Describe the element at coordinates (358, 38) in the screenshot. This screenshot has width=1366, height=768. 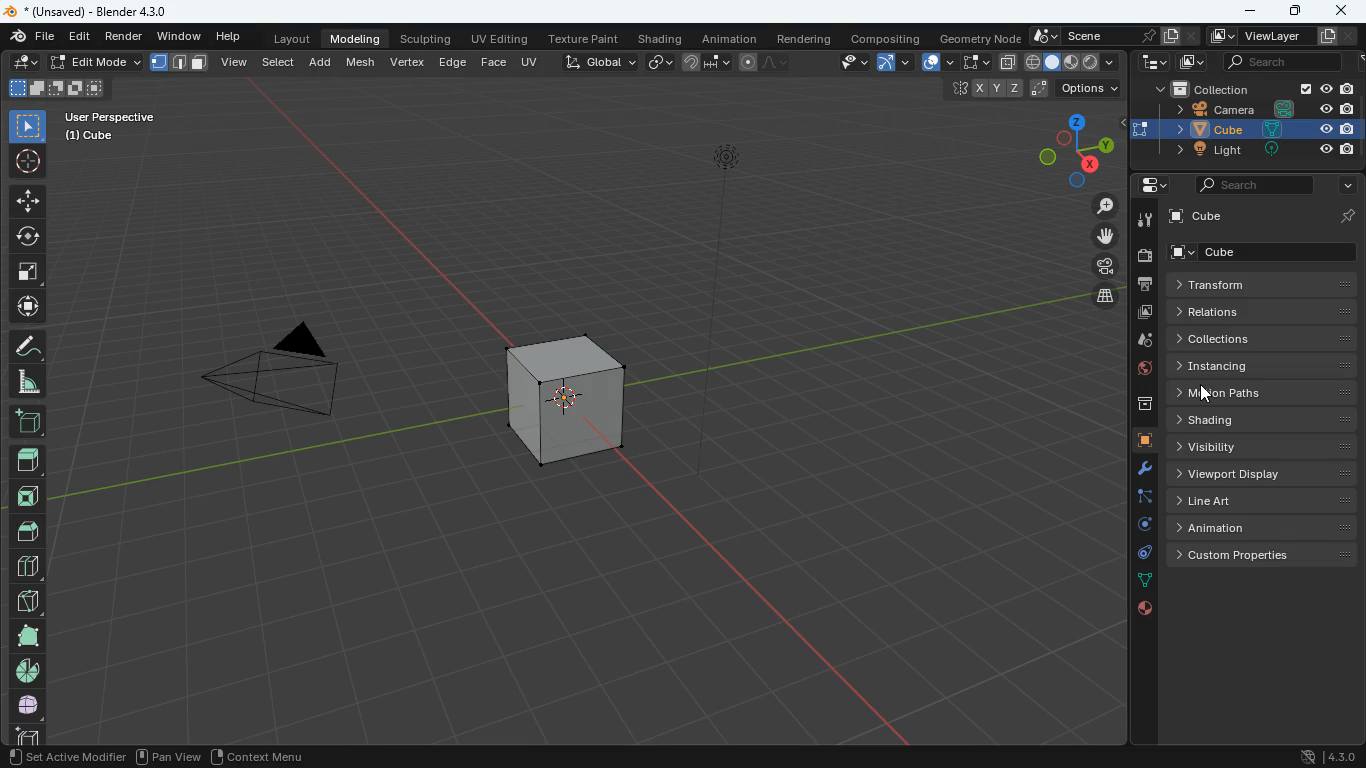
I see `modeling` at that location.